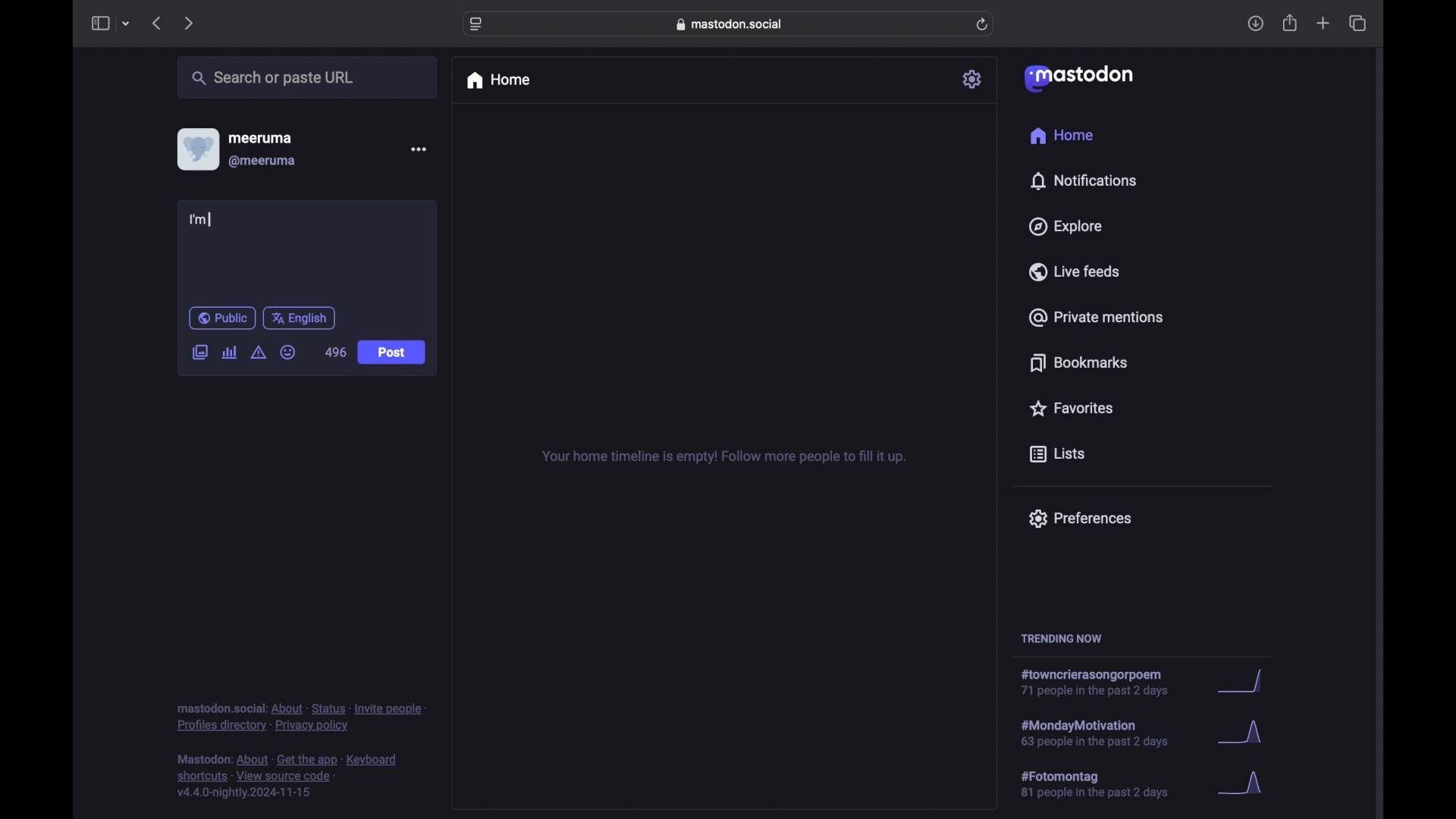 This screenshot has height=819, width=1456. Describe the element at coordinates (1291, 23) in the screenshot. I see `share` at that location.